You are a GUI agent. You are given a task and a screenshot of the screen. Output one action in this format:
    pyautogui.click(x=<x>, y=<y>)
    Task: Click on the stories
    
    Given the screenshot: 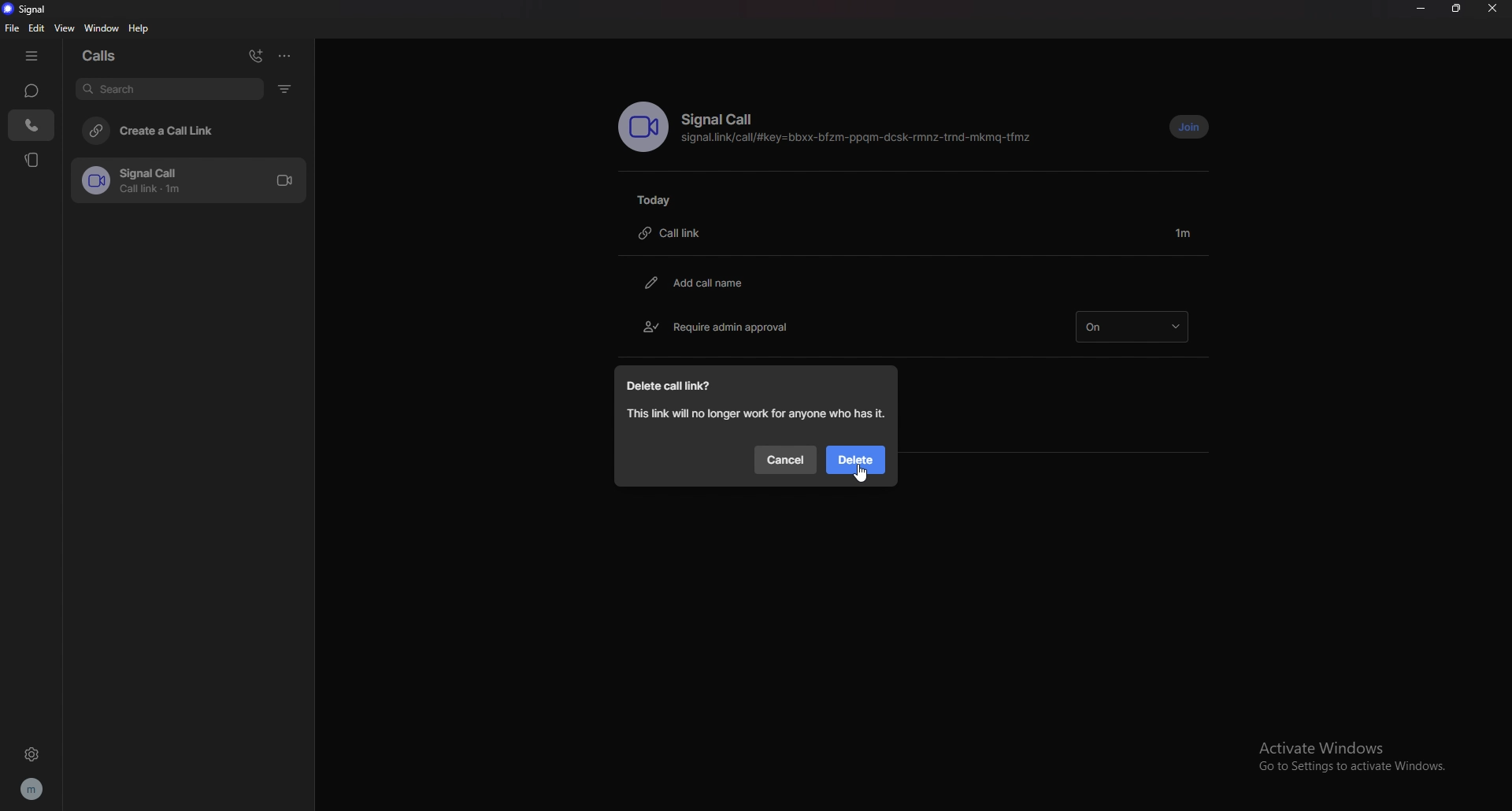 What is the action you would take?
    pyautogui.click(x=32, y=160)
    